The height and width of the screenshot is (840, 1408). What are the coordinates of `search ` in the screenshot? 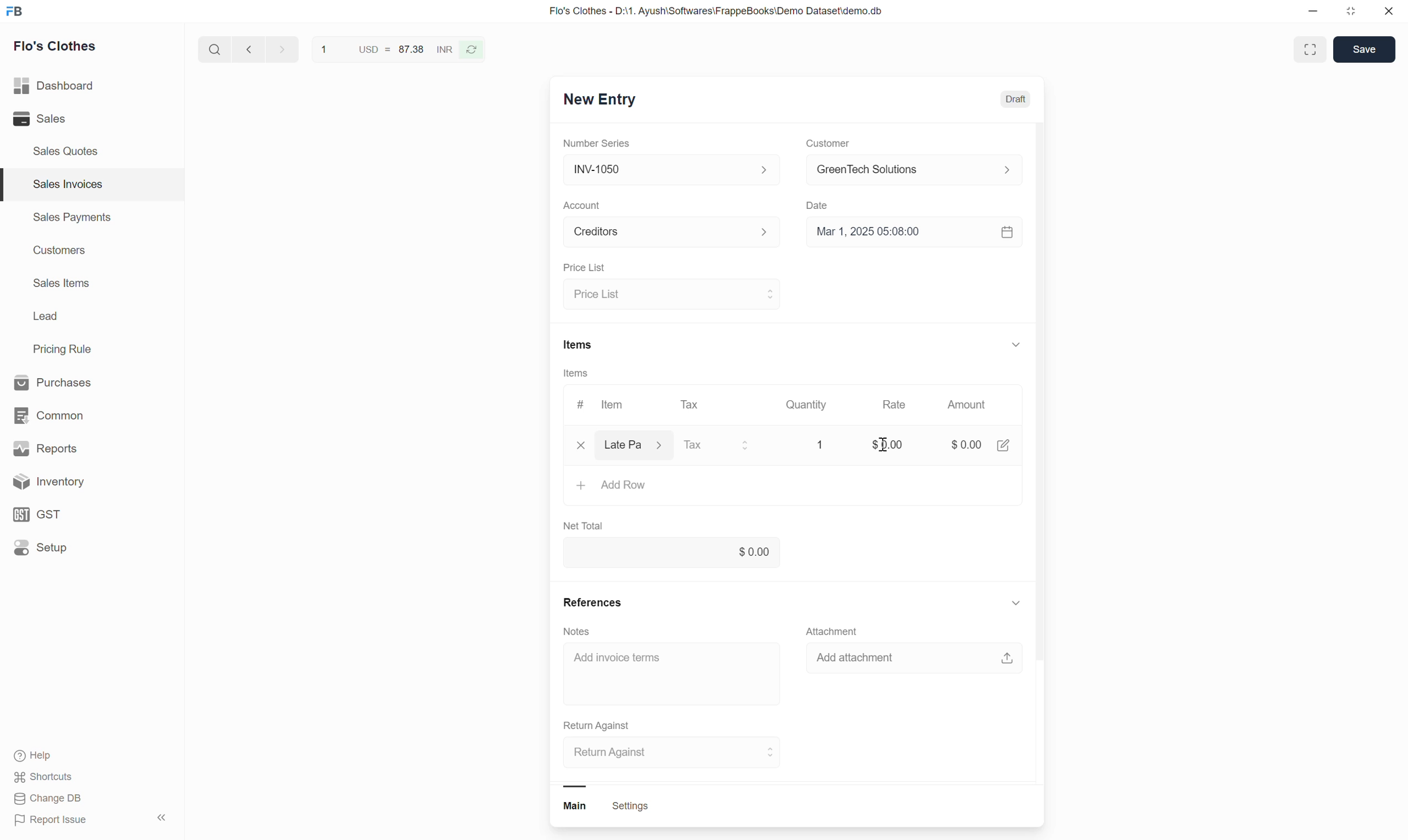 It's located at (212, 52).